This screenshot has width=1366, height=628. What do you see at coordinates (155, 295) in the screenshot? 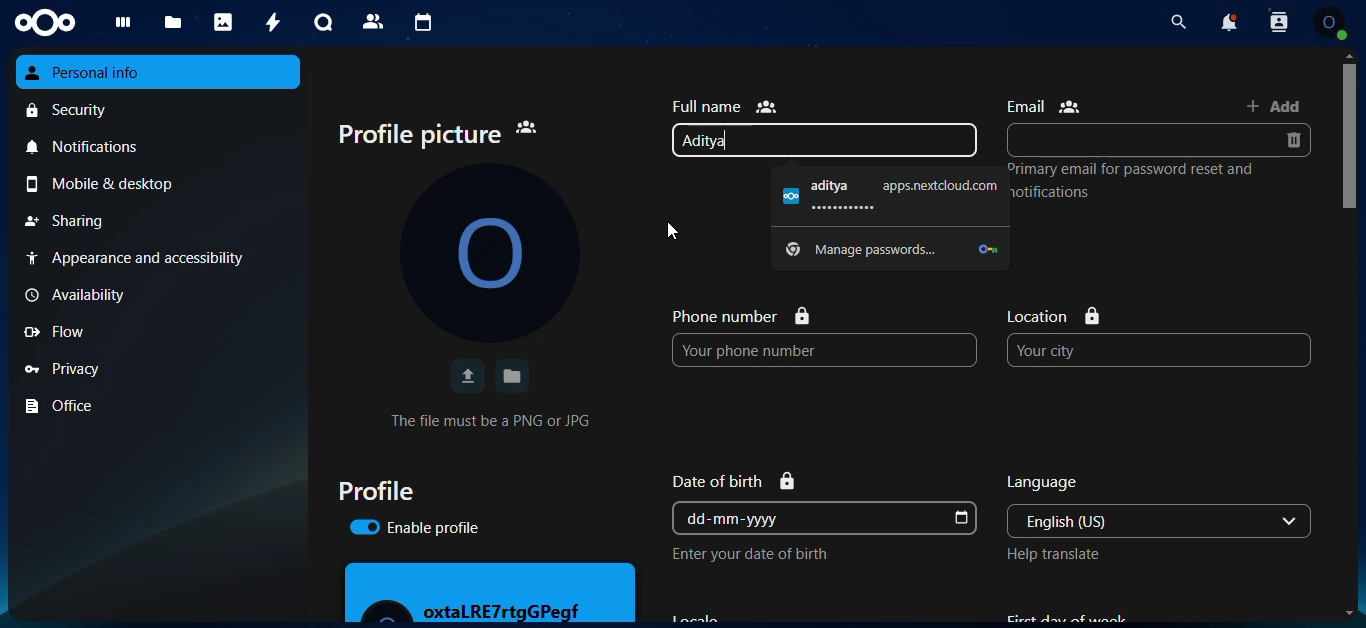
I see `availability` at bounding box center [155, 295].